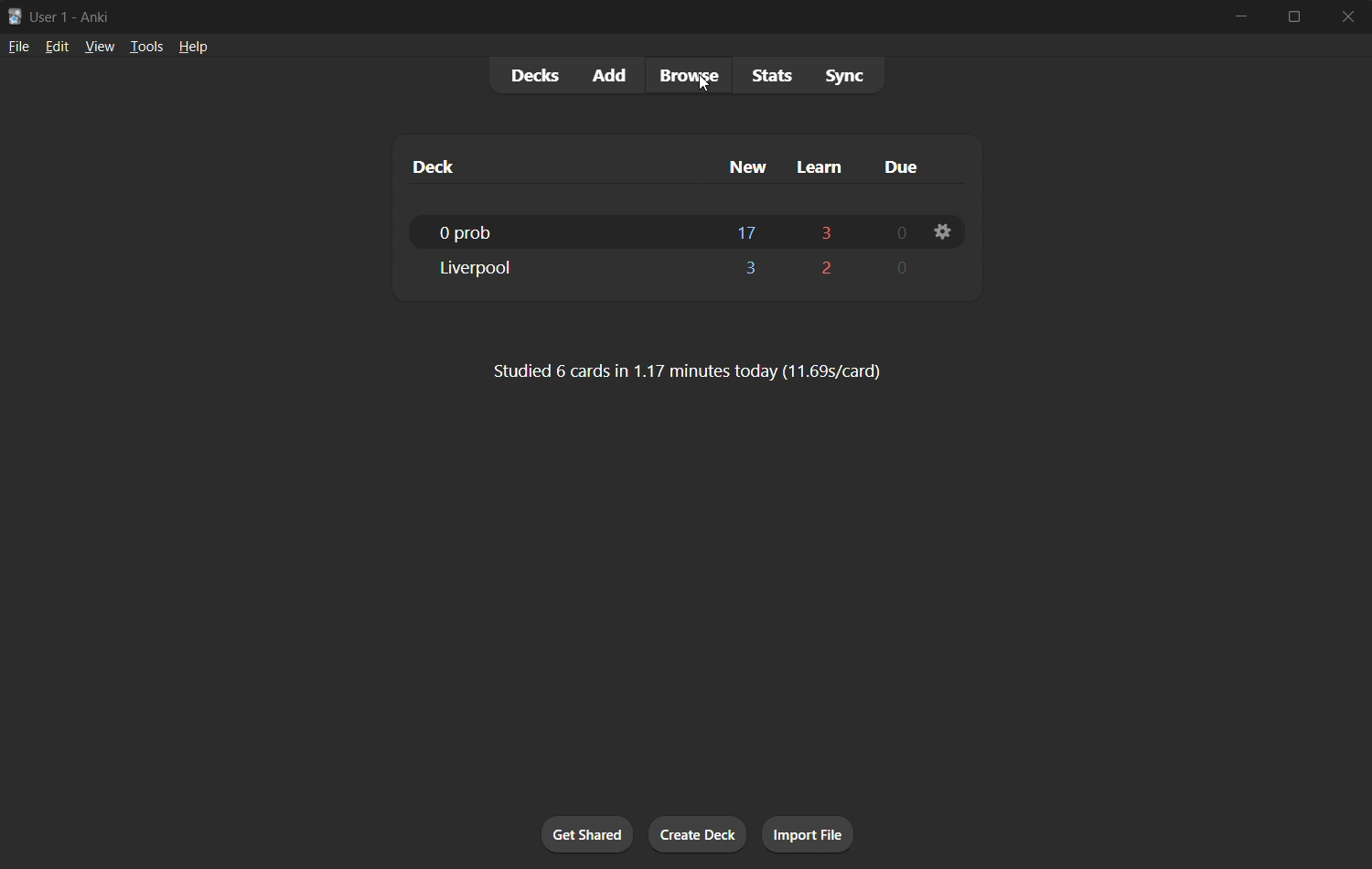  What do you see at coordinates (1345, 16) in the screenshot?
I see `close ` at bounding box center [1345, 16].